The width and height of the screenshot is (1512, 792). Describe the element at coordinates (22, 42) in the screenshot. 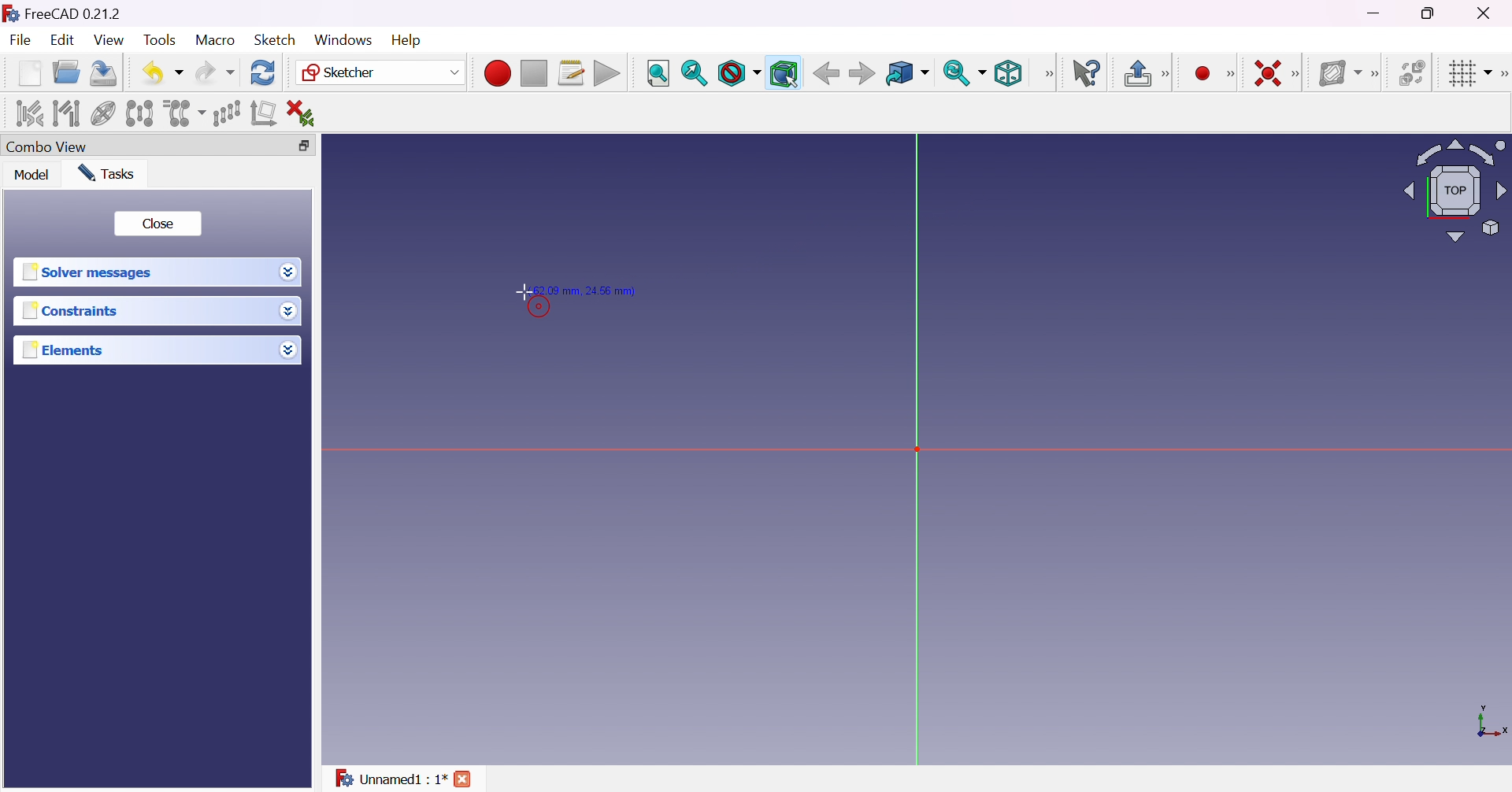

I see `File` at that location.